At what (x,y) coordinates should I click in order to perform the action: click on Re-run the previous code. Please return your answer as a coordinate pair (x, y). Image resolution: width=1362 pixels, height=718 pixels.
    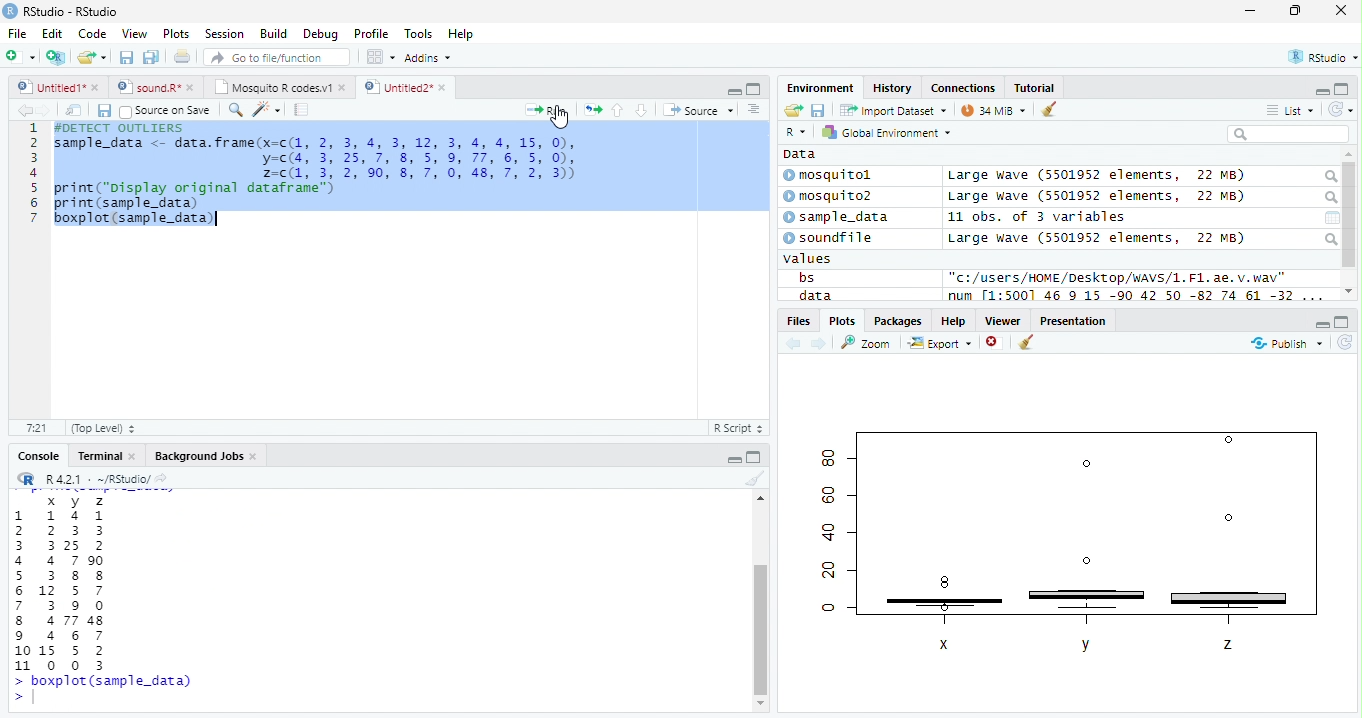
    Looking at the image, I should click on (592, 110).